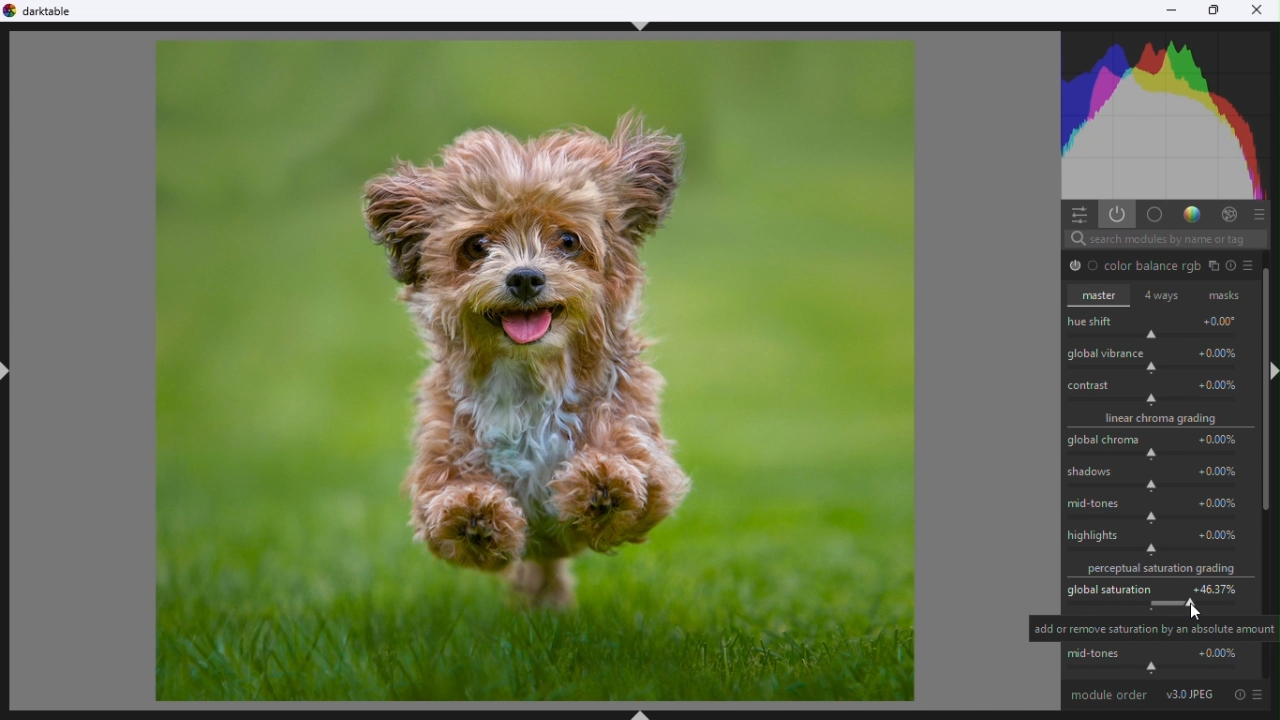 This screenshot has width=1280, height=720. Describe the element at coordinates (1160, 421) in the screenshot. I see `Linear Croma grading` at that location.